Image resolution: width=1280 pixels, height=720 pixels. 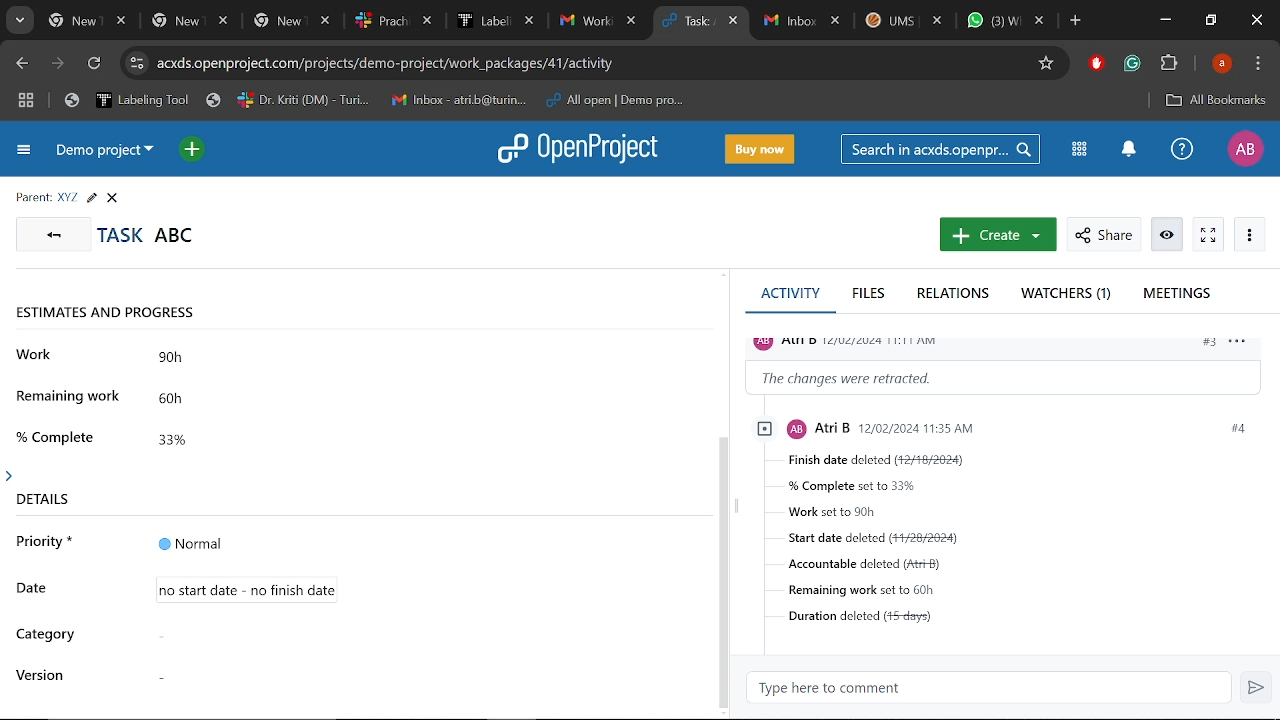 I want to click on , so click(x=27, y=151).